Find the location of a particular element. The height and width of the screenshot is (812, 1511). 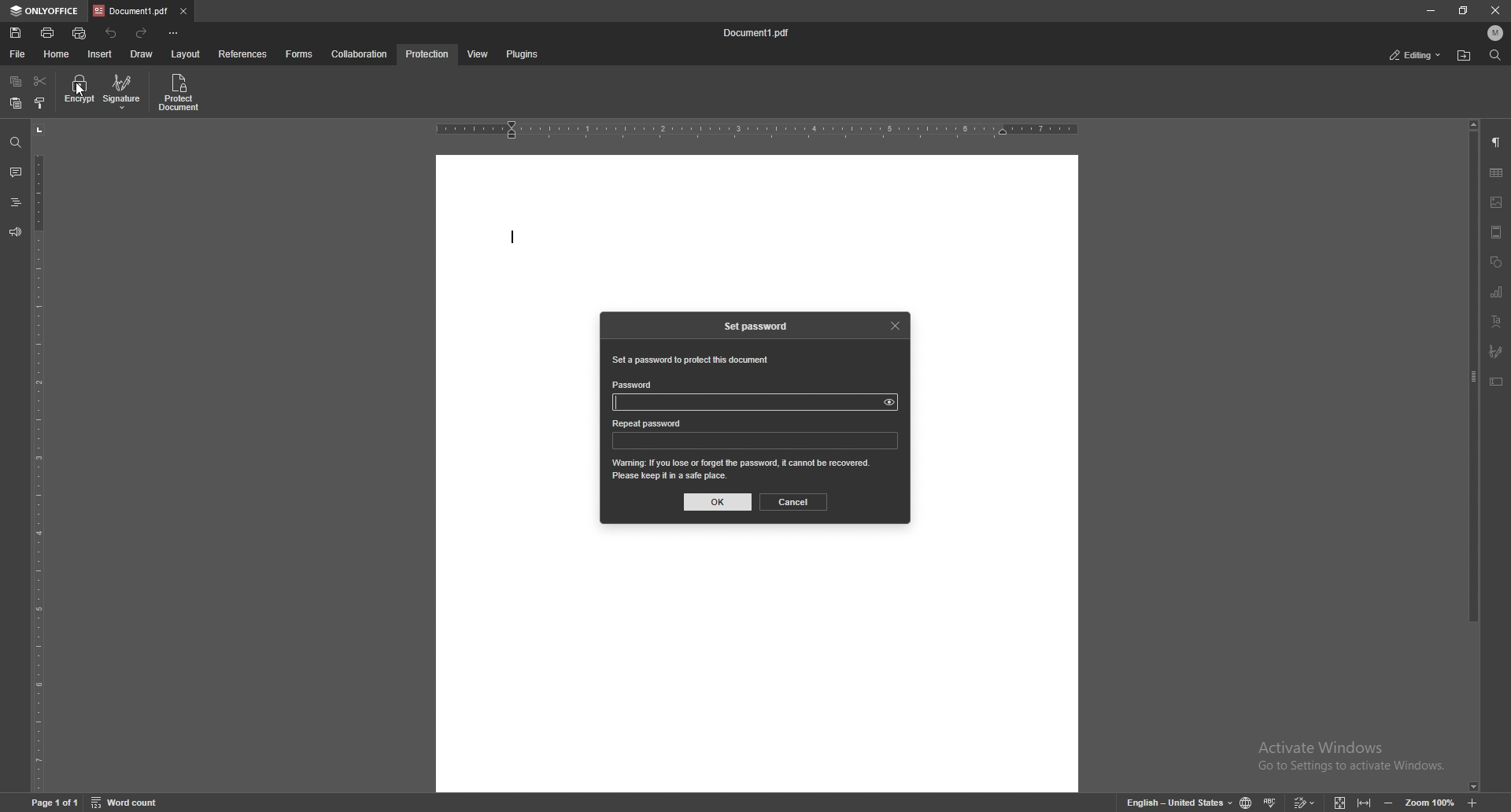

copy is located at coordinates (15, 82).